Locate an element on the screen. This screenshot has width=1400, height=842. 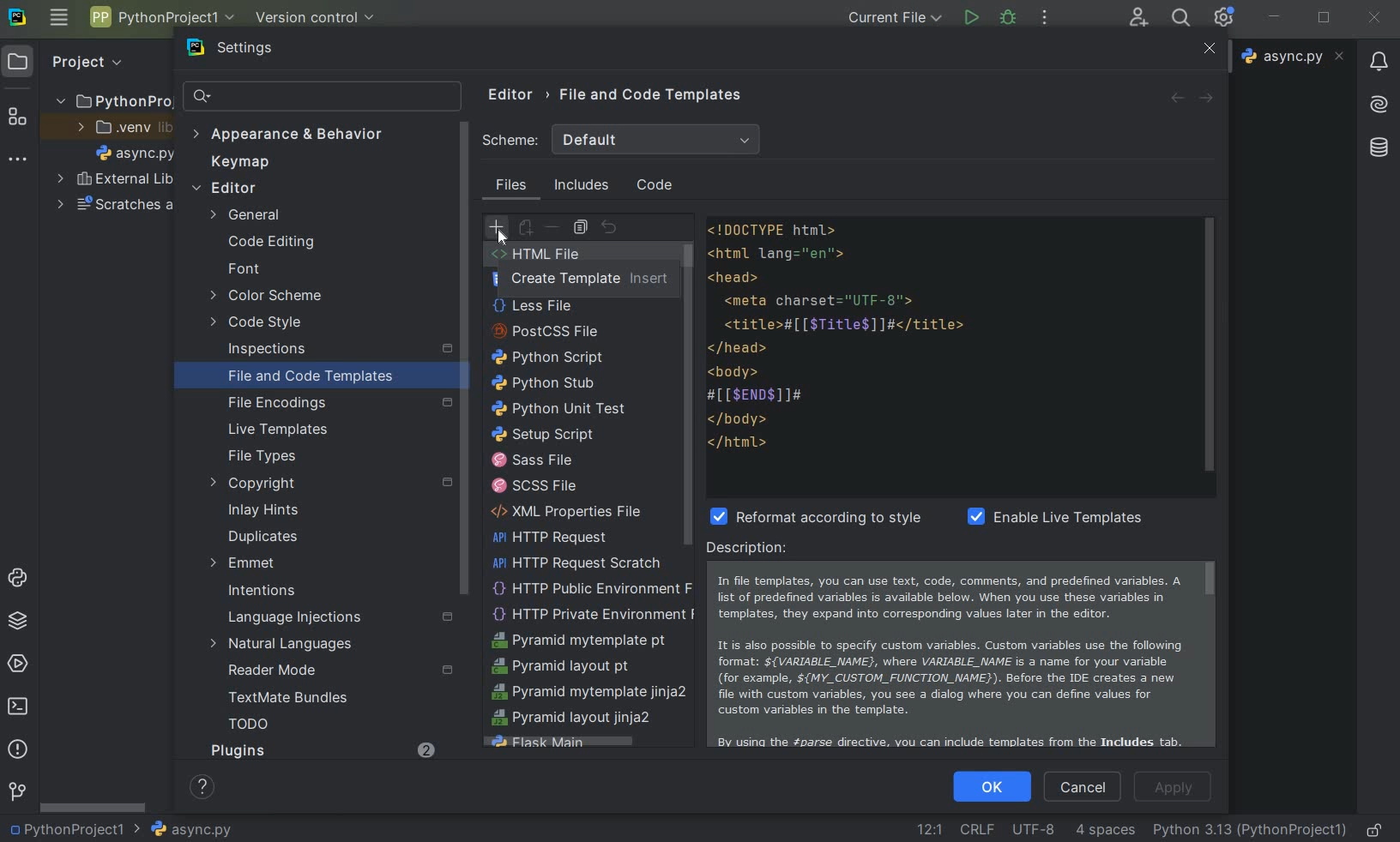
description is located at coordinates (965, 645).